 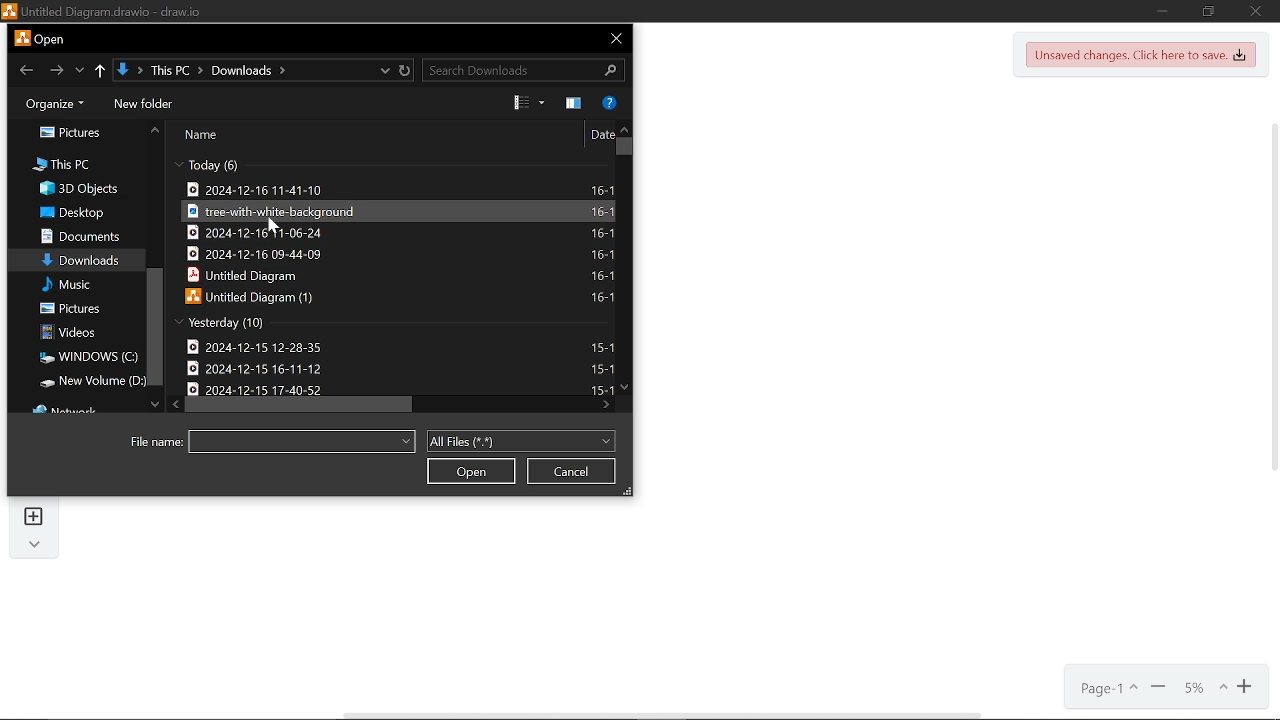 I want to click on new volume, so click(x=86, y=382).